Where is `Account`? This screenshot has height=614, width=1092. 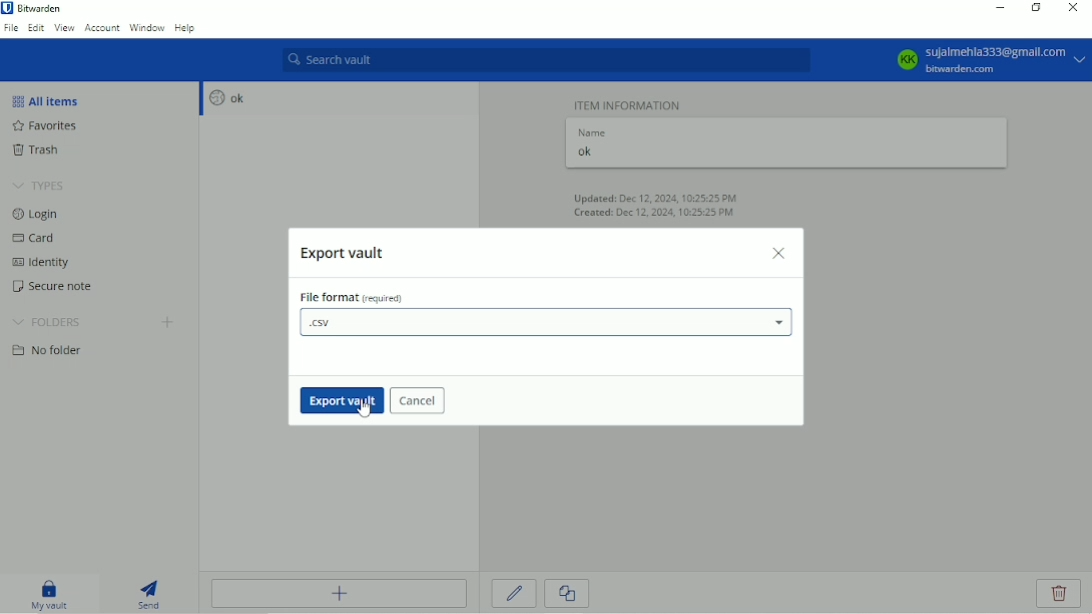
Account is located at coordinates (102, 27).